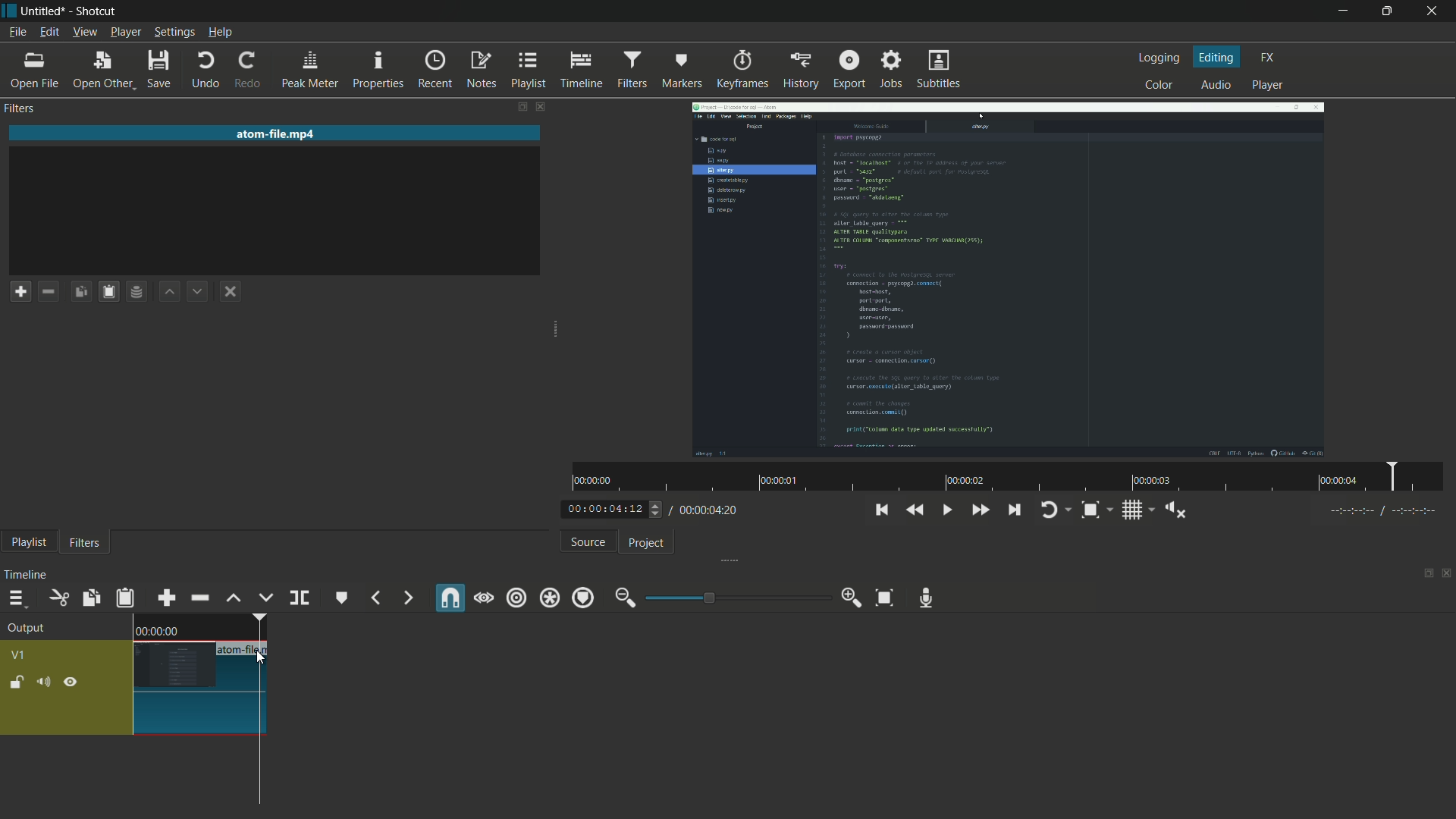 Image resolution: width=1456 pixels, height=819 pixels. Describe the element at coordinates (158, 71) in the screenshot. I see `save` at that location.